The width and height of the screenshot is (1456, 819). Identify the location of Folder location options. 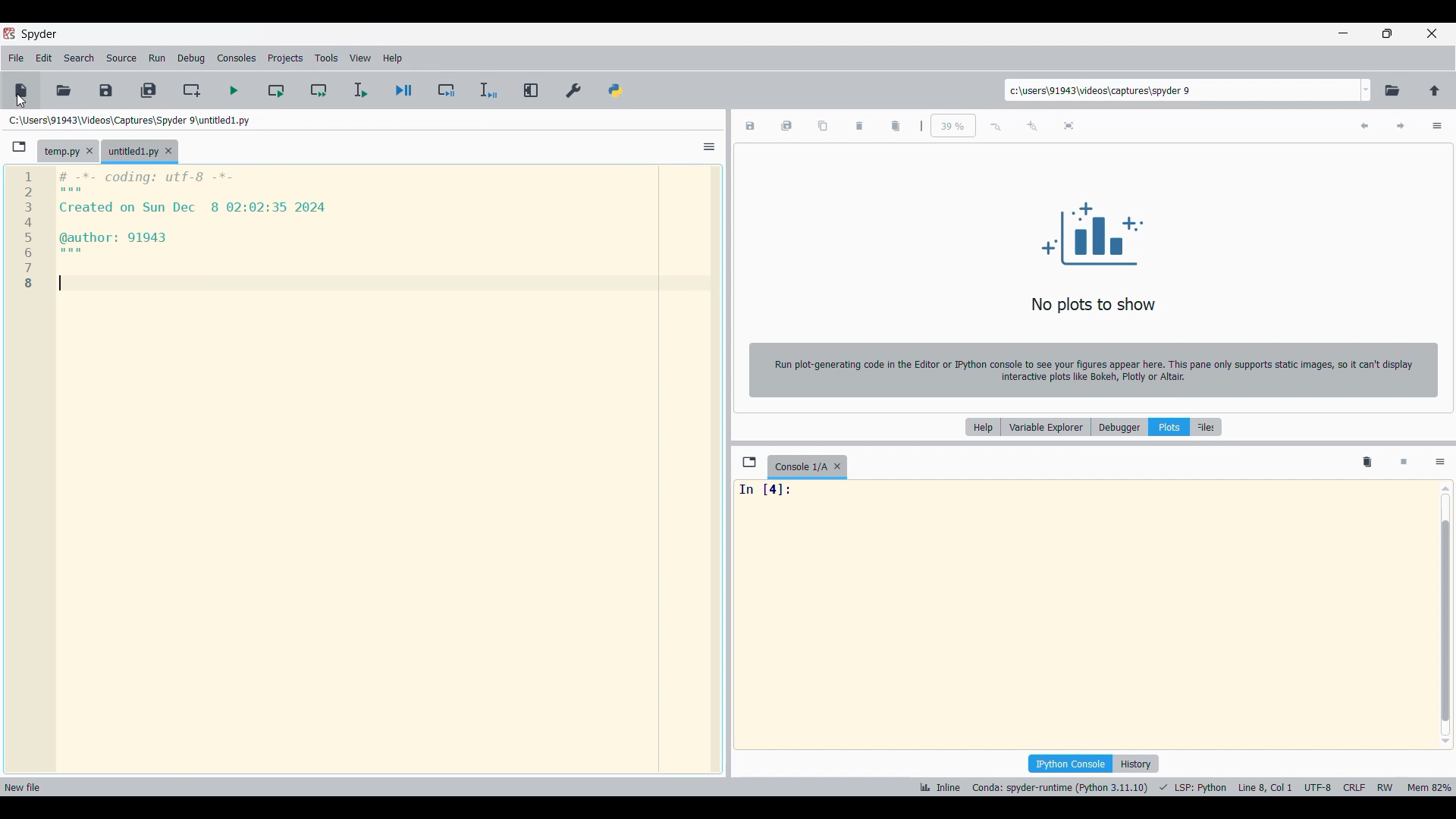
(1367, 90).